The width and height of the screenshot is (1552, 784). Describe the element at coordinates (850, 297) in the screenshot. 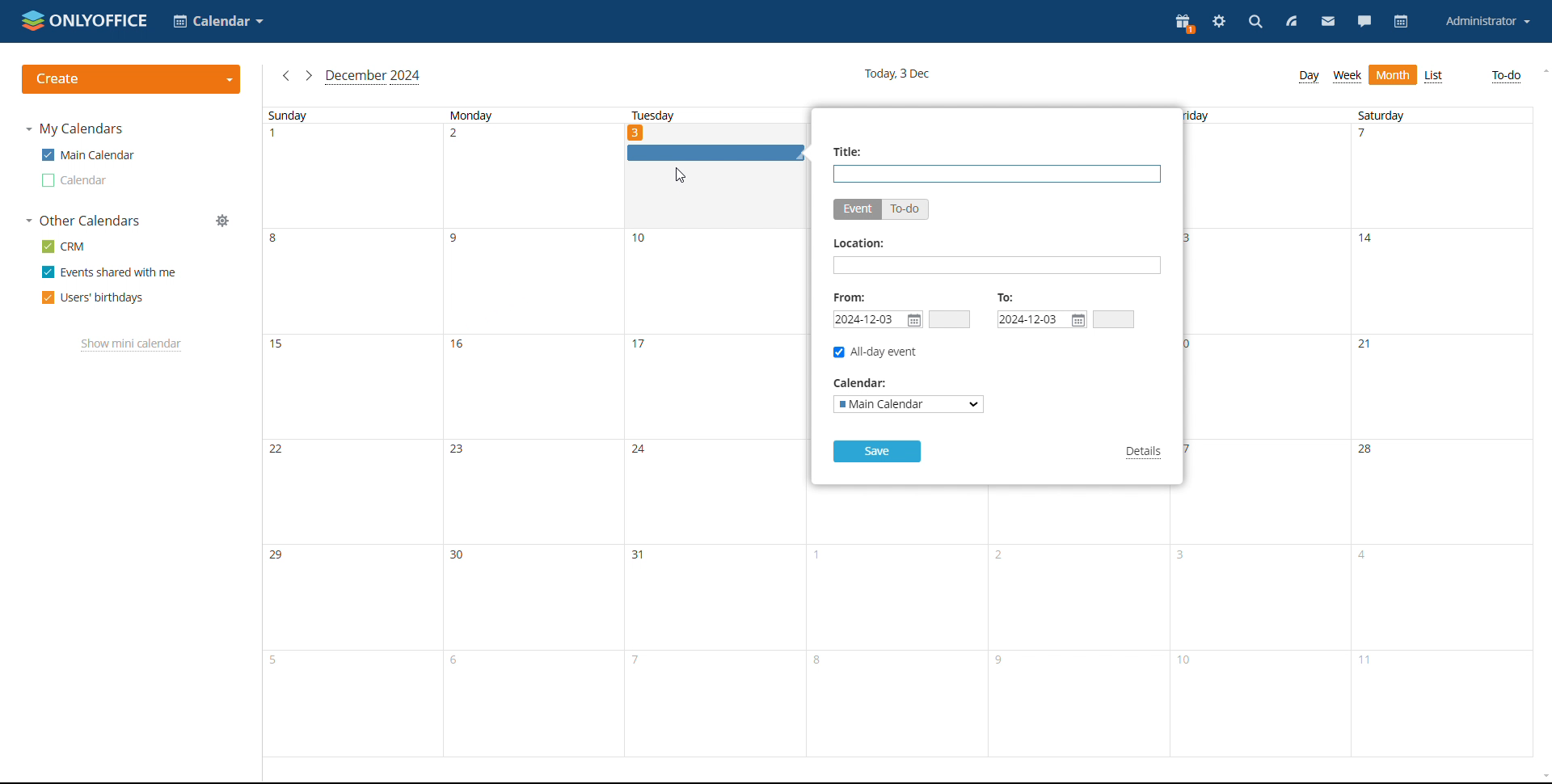

I see `from:` at that location.